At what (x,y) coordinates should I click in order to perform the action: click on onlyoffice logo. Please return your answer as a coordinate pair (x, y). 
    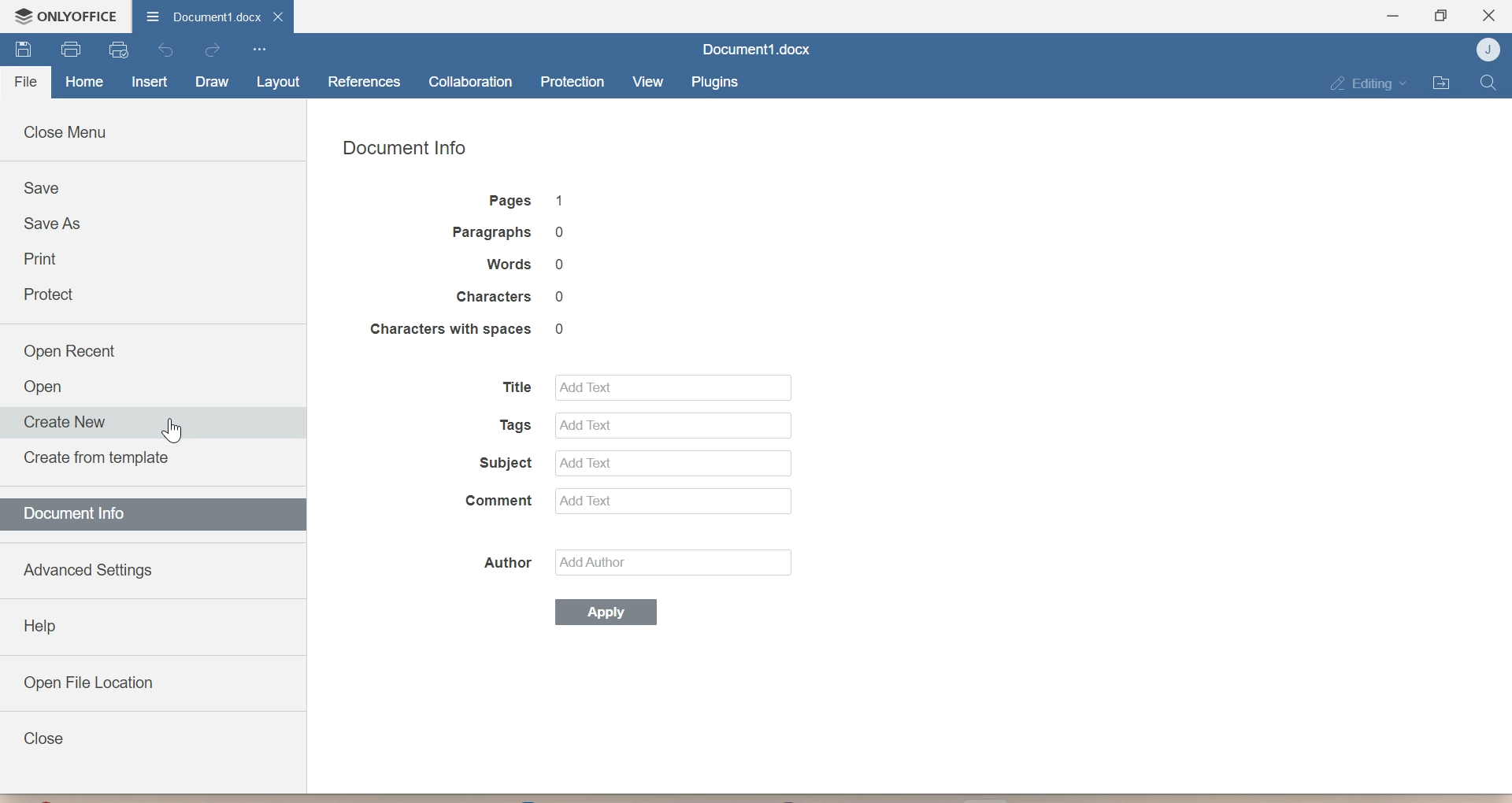
    Looking at the image, I should click on (20, 16).